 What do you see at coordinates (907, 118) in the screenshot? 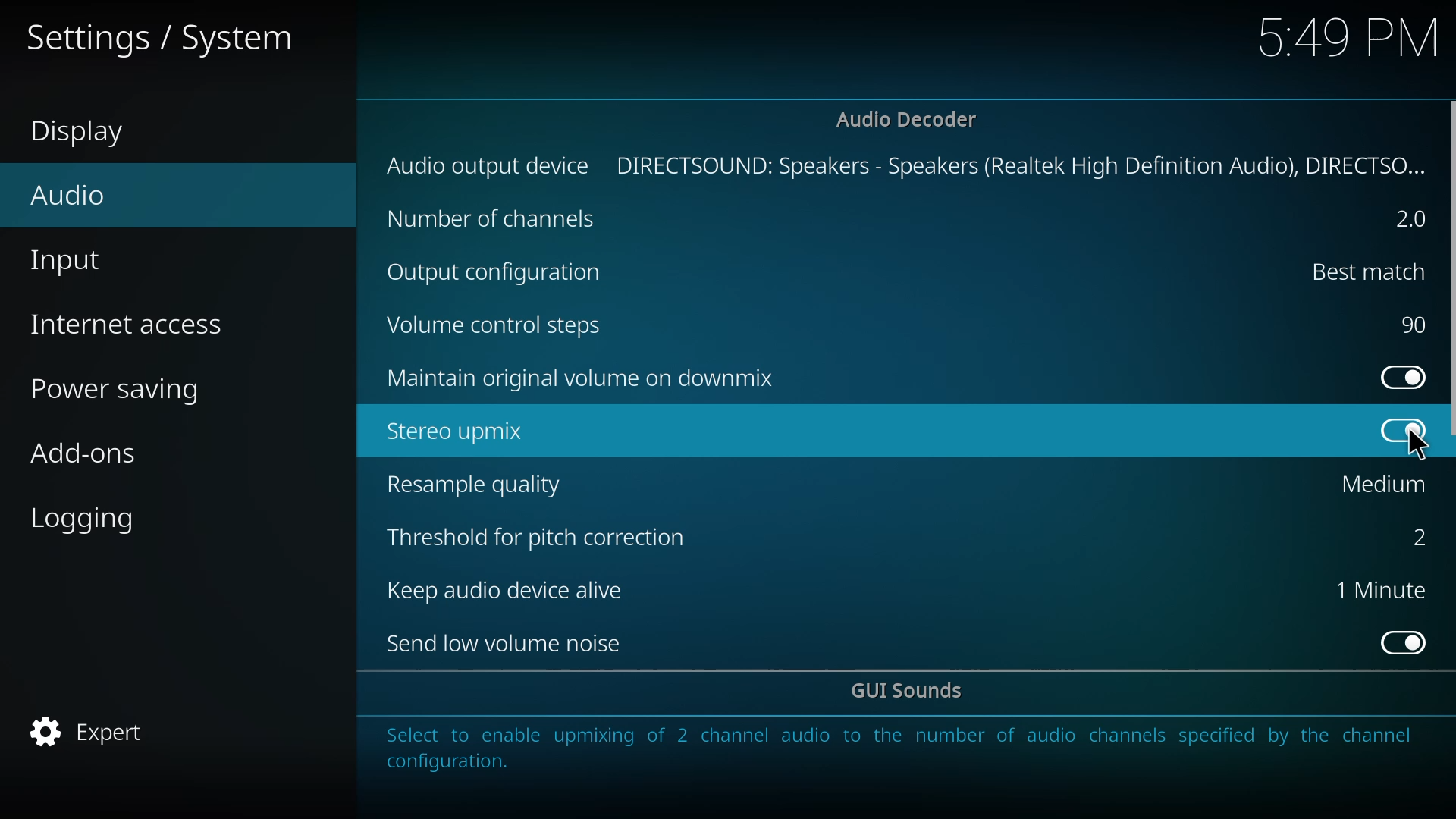
I see `audio decoder` at bounding box center [907, 118].